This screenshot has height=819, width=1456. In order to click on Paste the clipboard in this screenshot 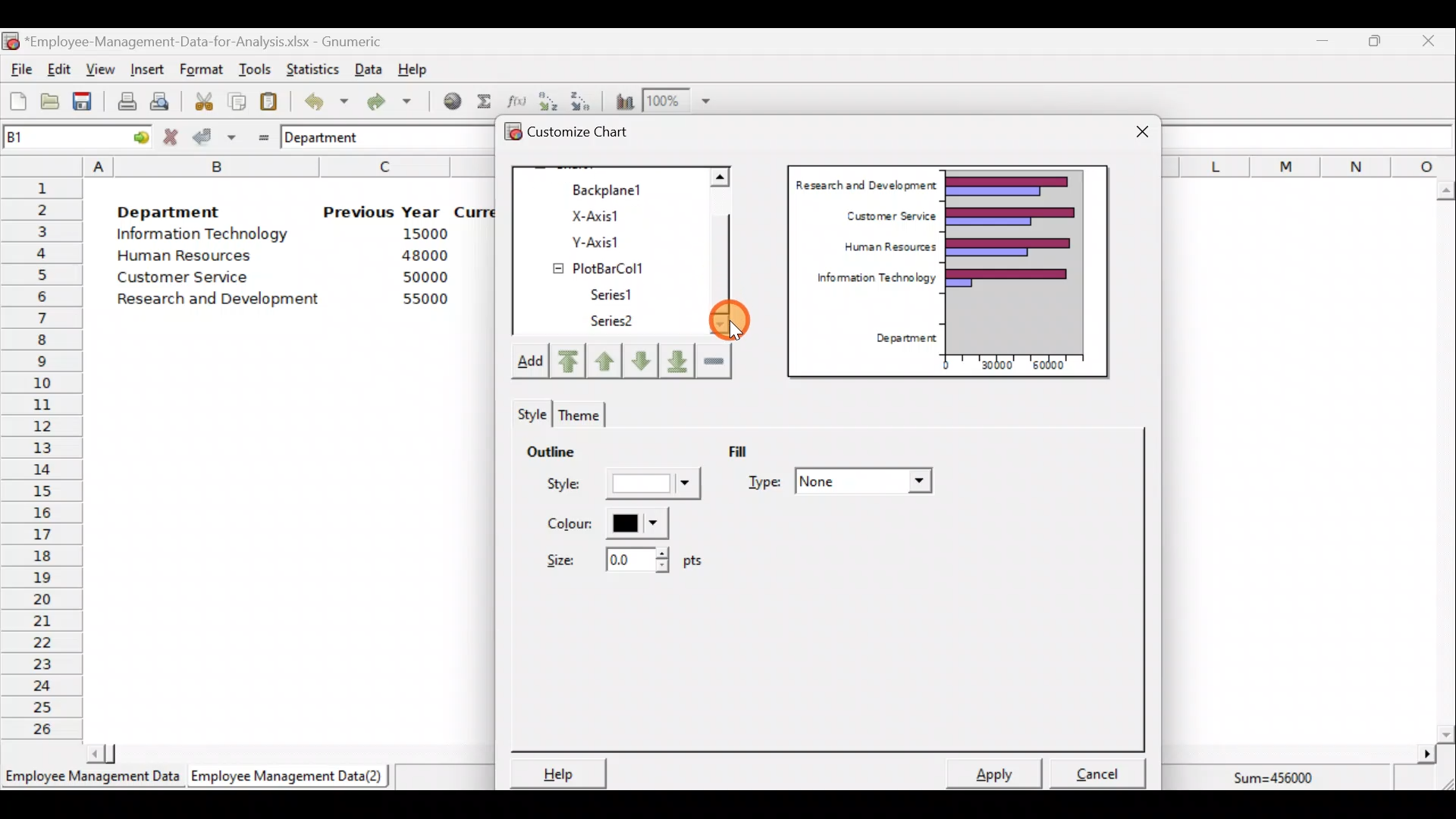, I will do `click(268, 101)`.